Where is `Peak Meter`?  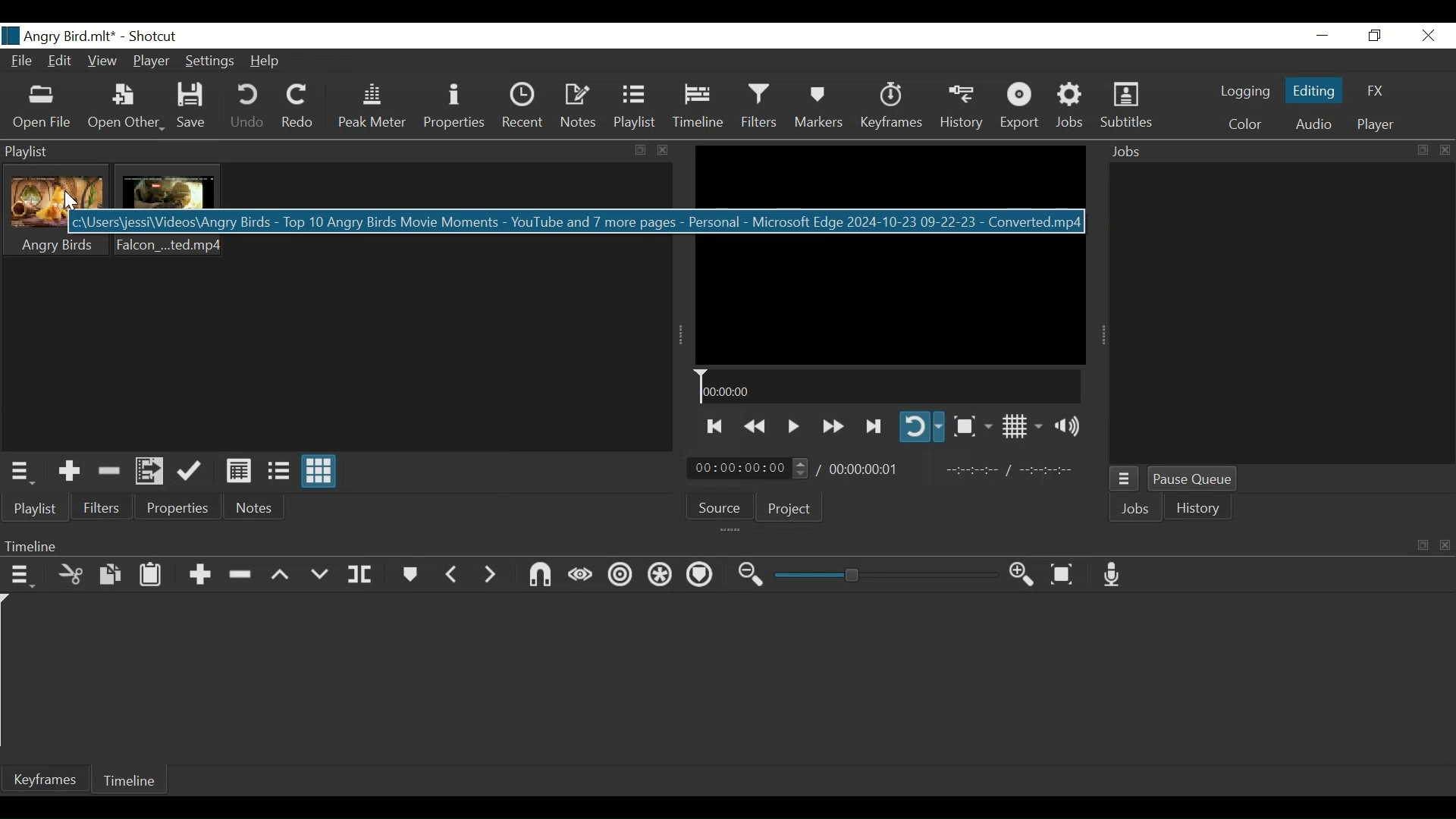
Peak Meter is located at coordinates (372, 108).